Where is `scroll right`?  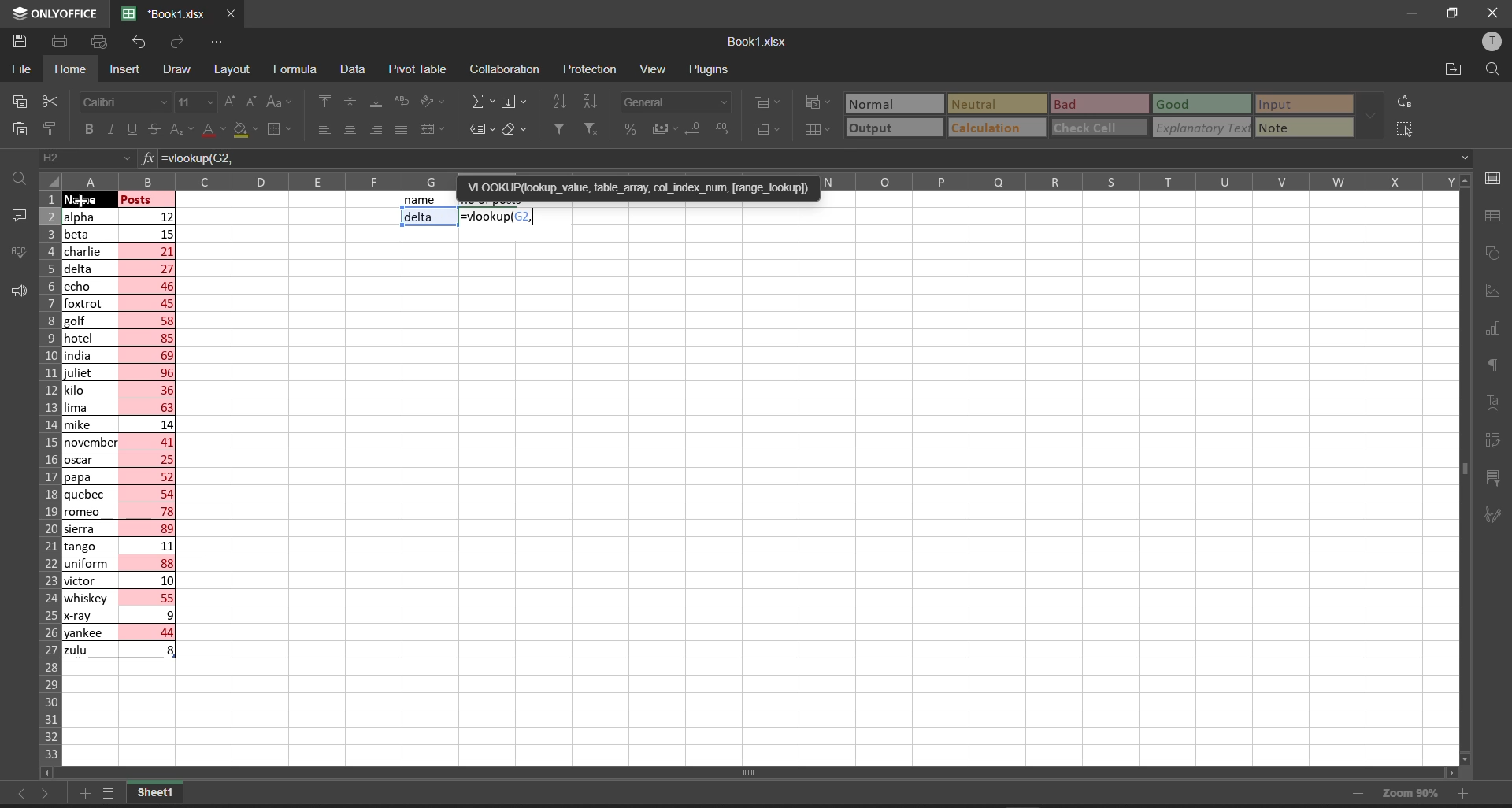 scroll right is located at coordinates (1449, 774).